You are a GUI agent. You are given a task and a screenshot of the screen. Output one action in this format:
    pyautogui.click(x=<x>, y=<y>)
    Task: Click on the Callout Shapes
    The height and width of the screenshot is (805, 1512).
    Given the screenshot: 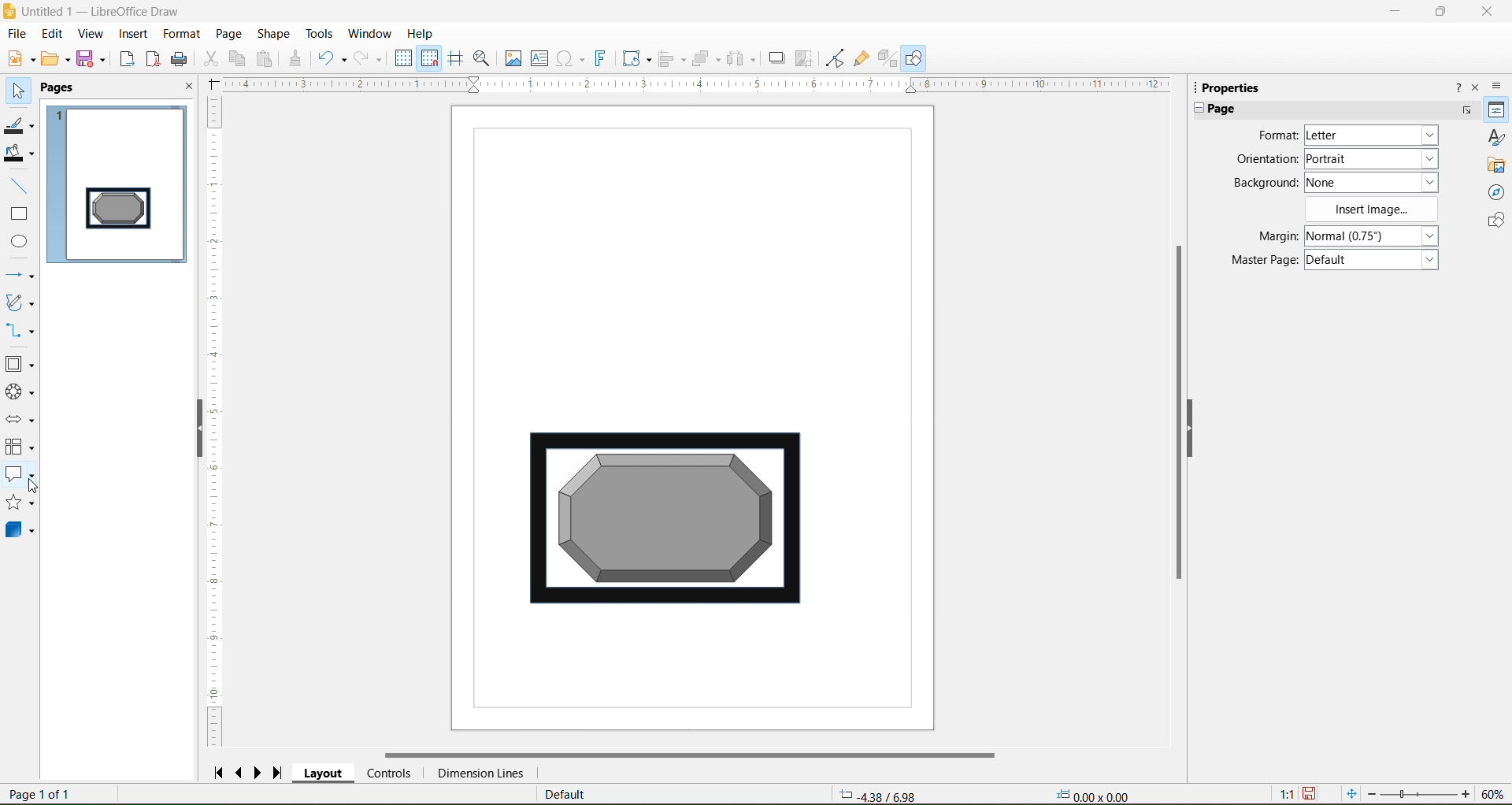 What is the action you would take?
    pyautogui.click(x=23, y=477)
    